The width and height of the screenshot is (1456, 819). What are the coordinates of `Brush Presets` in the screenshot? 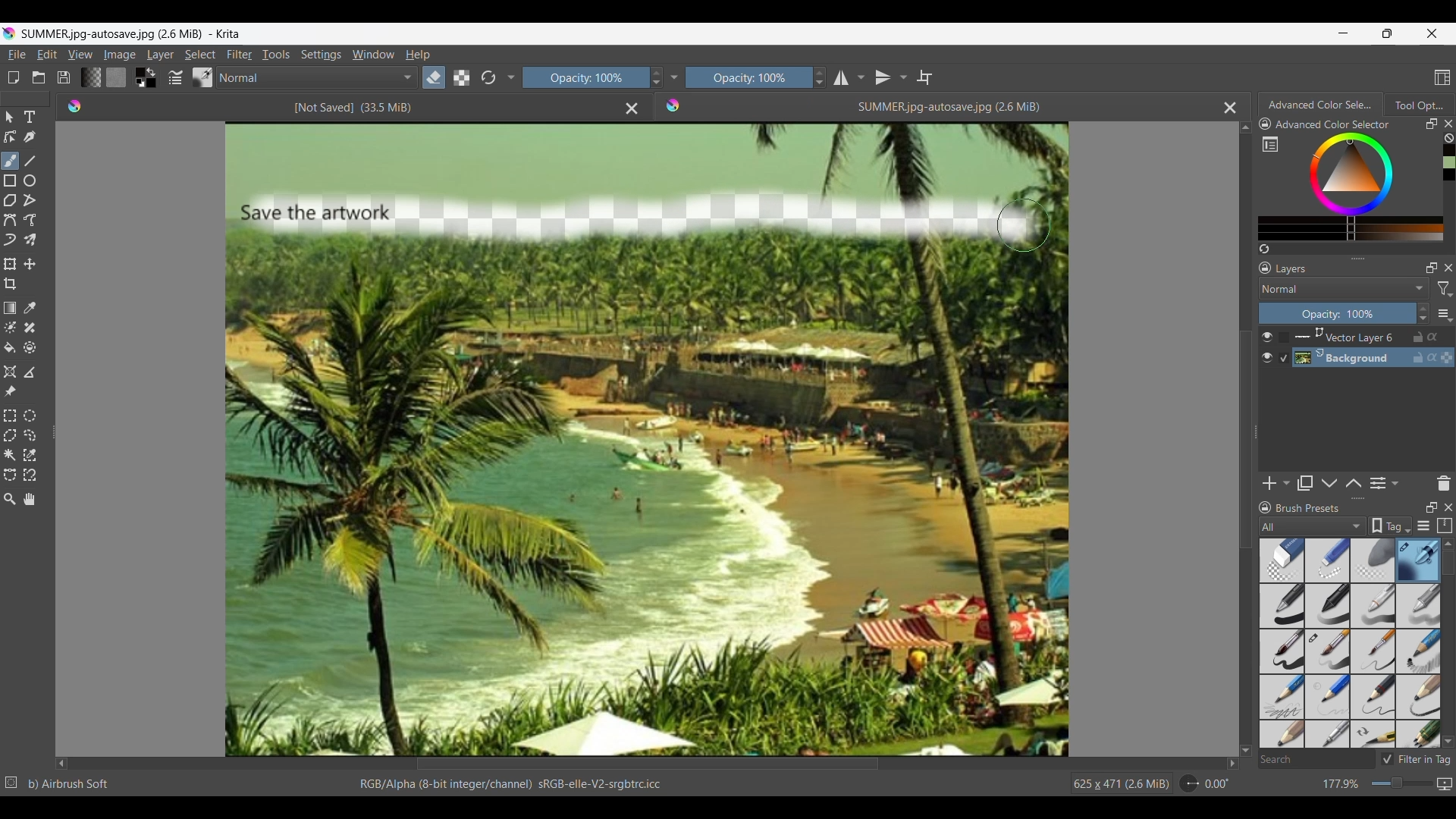 It's located at (1310, 509).